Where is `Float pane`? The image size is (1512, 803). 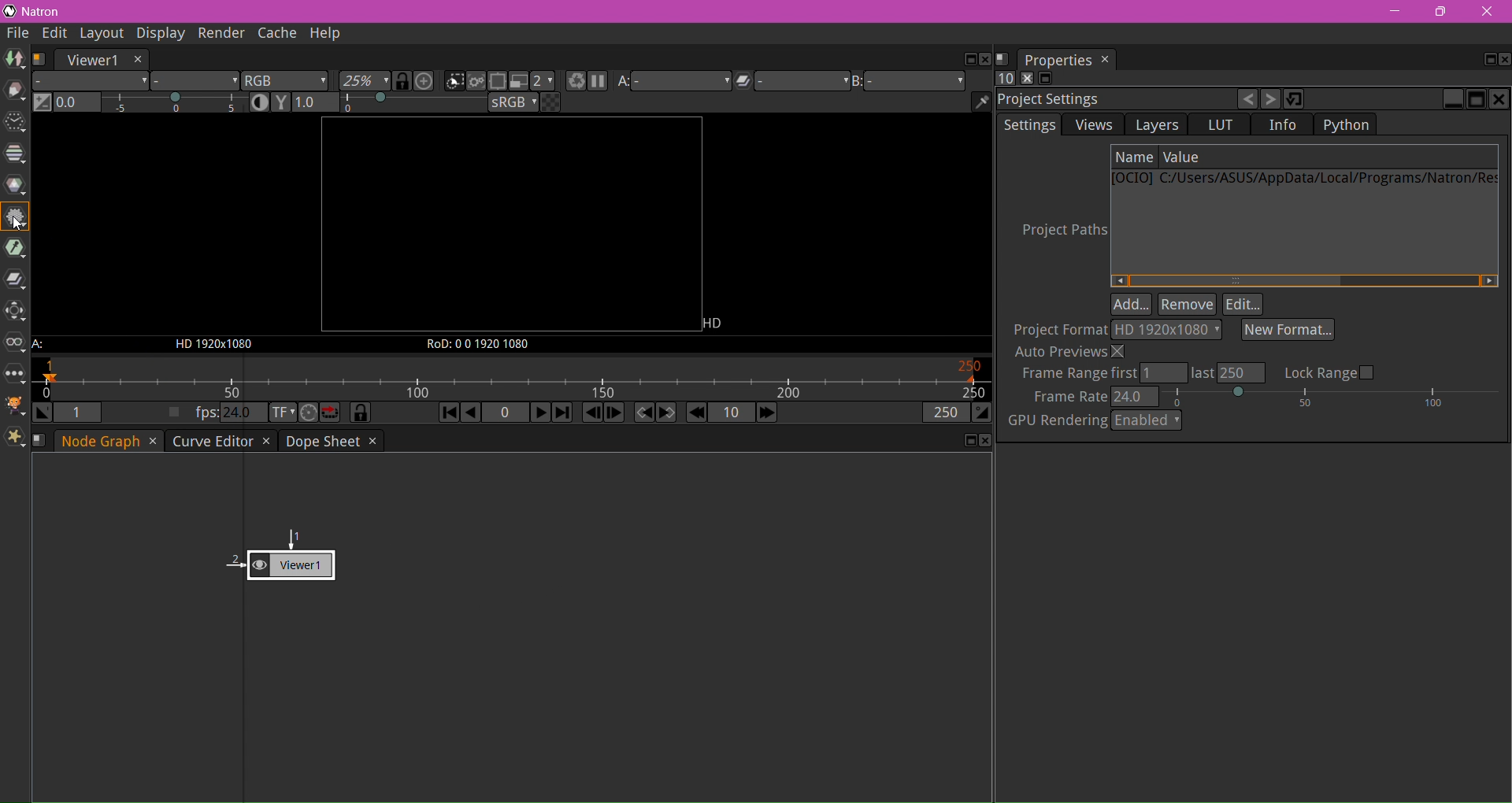
Float pane is located at coordinates (1484, 60).